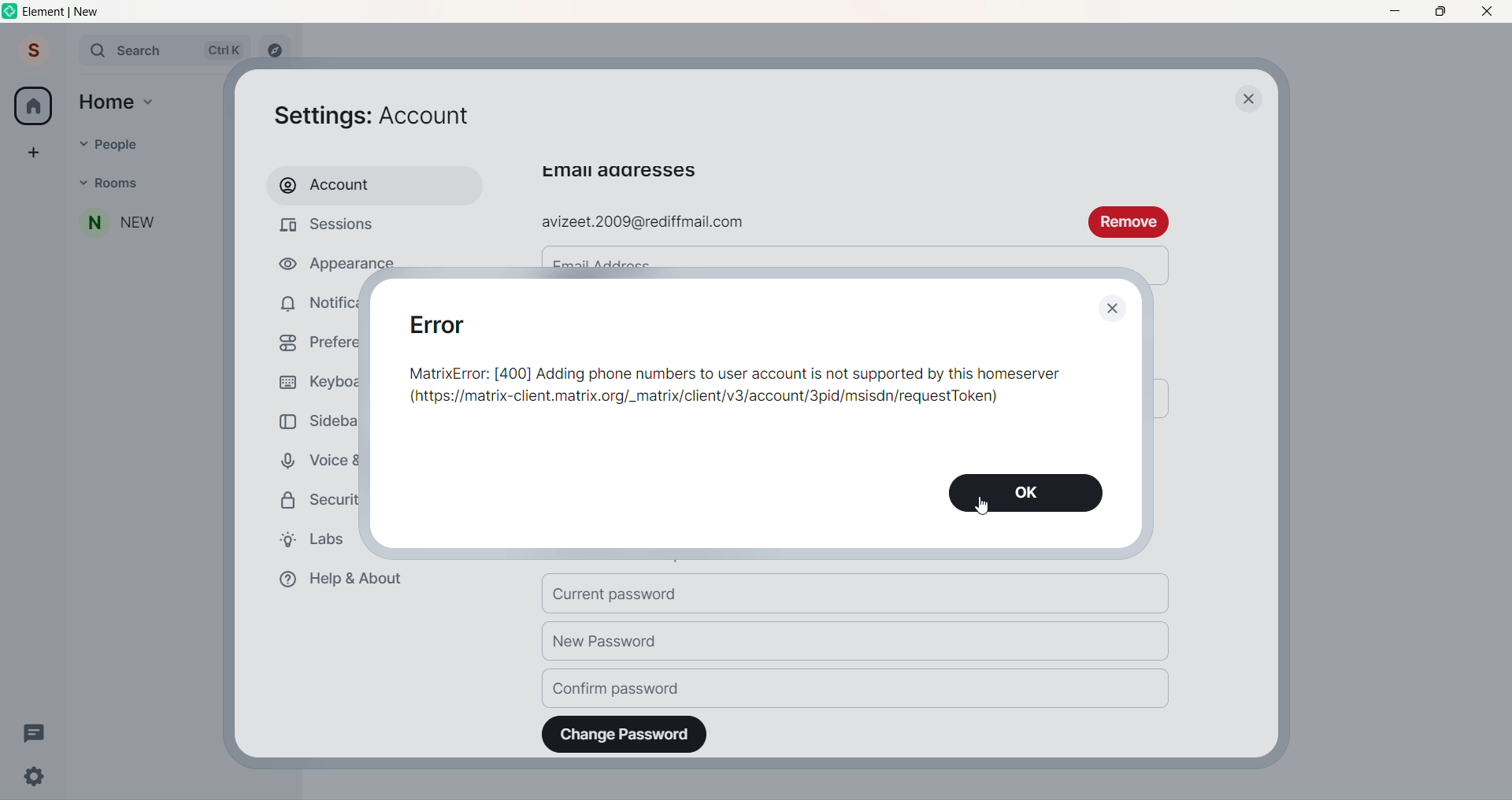 The image size is (1512, 800). Describe the element at coordinates (307, 341) in the screenshot. I see `Preferences` at that location.